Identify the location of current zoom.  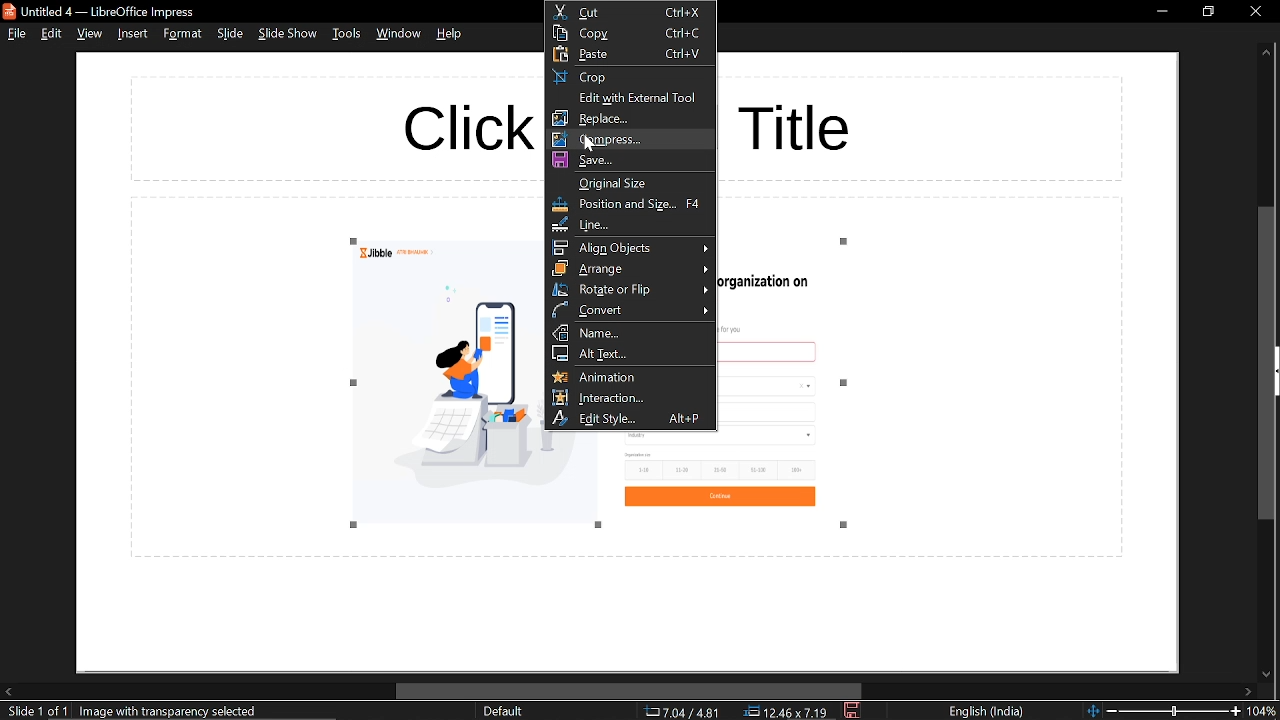
(1265, 711).